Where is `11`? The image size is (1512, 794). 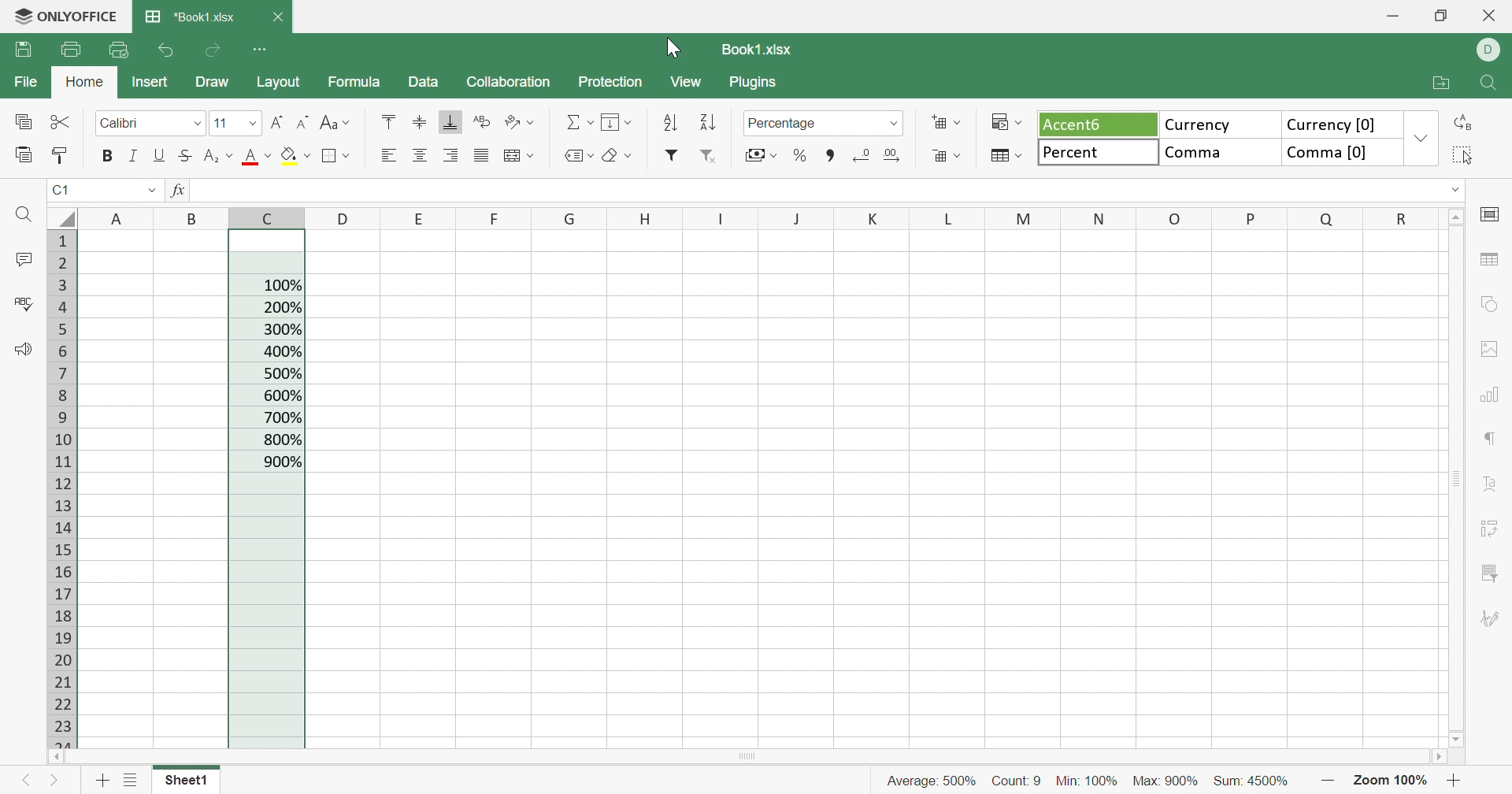
11 is located at coordinates (223, 123).